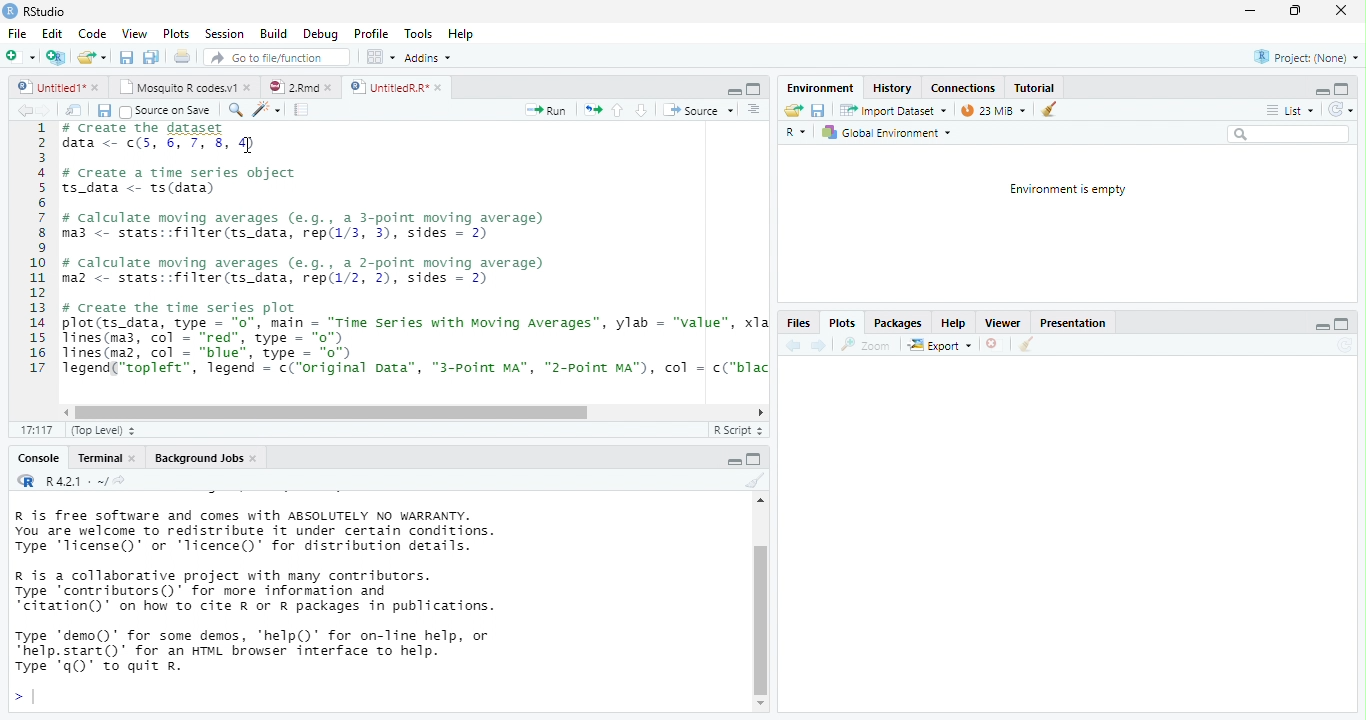 This screenshot has width=1366, height=720. What do you see at coordinates (1249, 12) in the screenshot?
I see `minimize` at bounding box center [1249, 12].